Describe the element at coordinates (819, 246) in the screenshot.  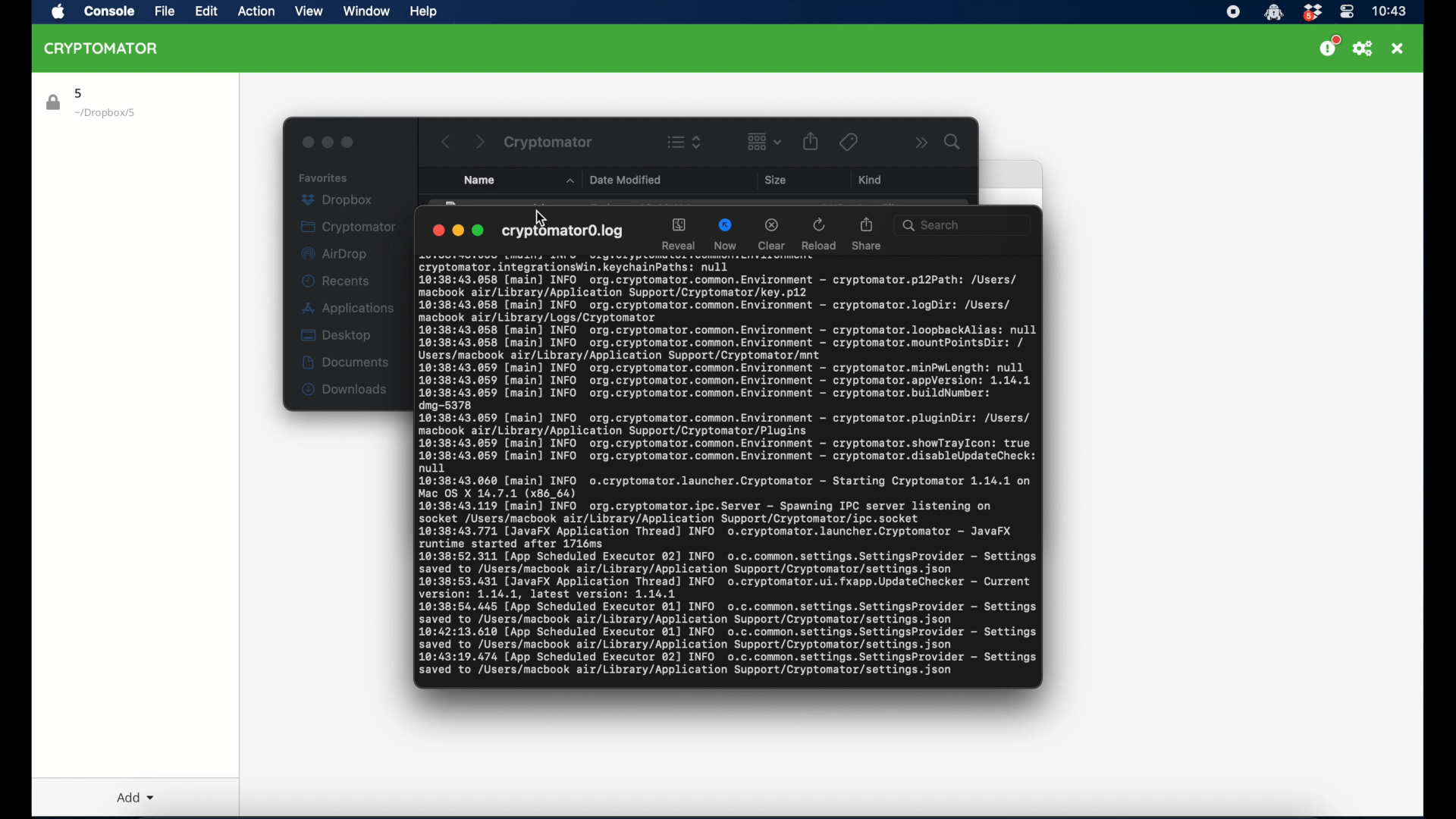
I see `reload` at that location.